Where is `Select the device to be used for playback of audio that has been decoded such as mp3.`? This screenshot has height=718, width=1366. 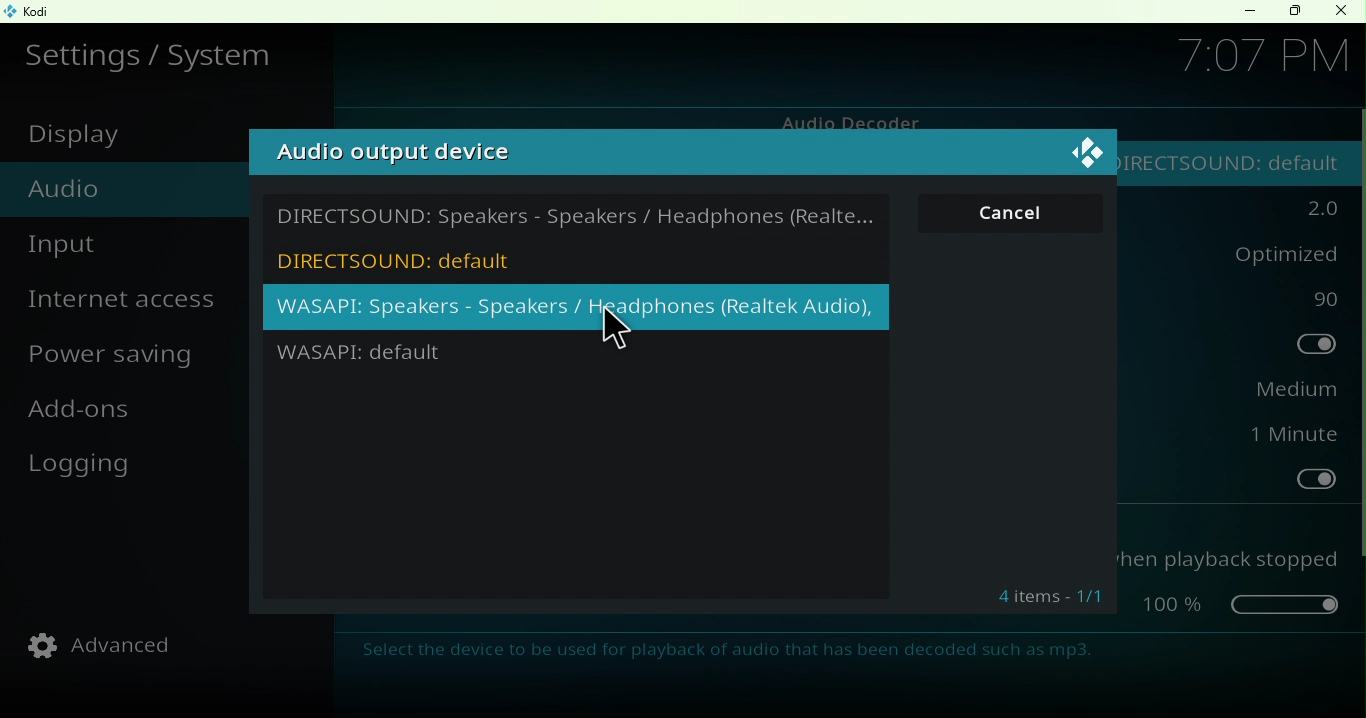
Select the device to be used for playback of audio that has been decoded such as mp3. is located at coordinates (729, 654).